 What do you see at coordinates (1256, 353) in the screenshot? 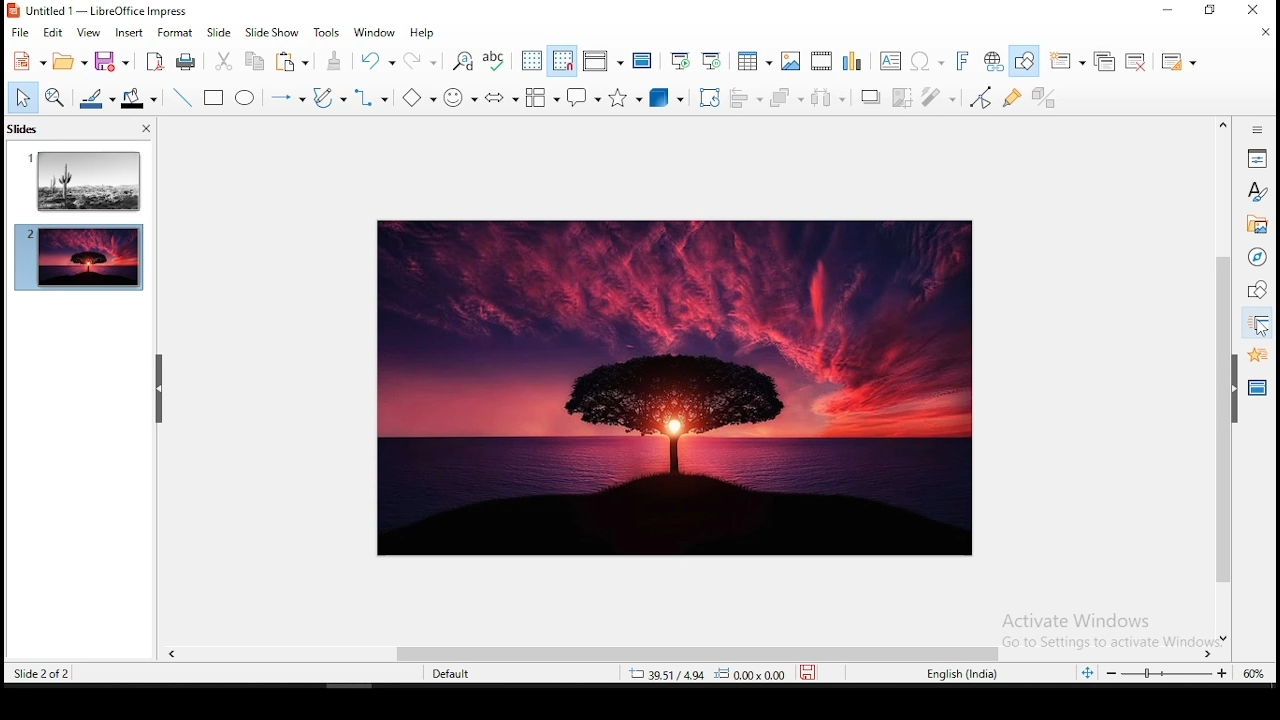
I see `animation` at bounding box center [1256, 353].